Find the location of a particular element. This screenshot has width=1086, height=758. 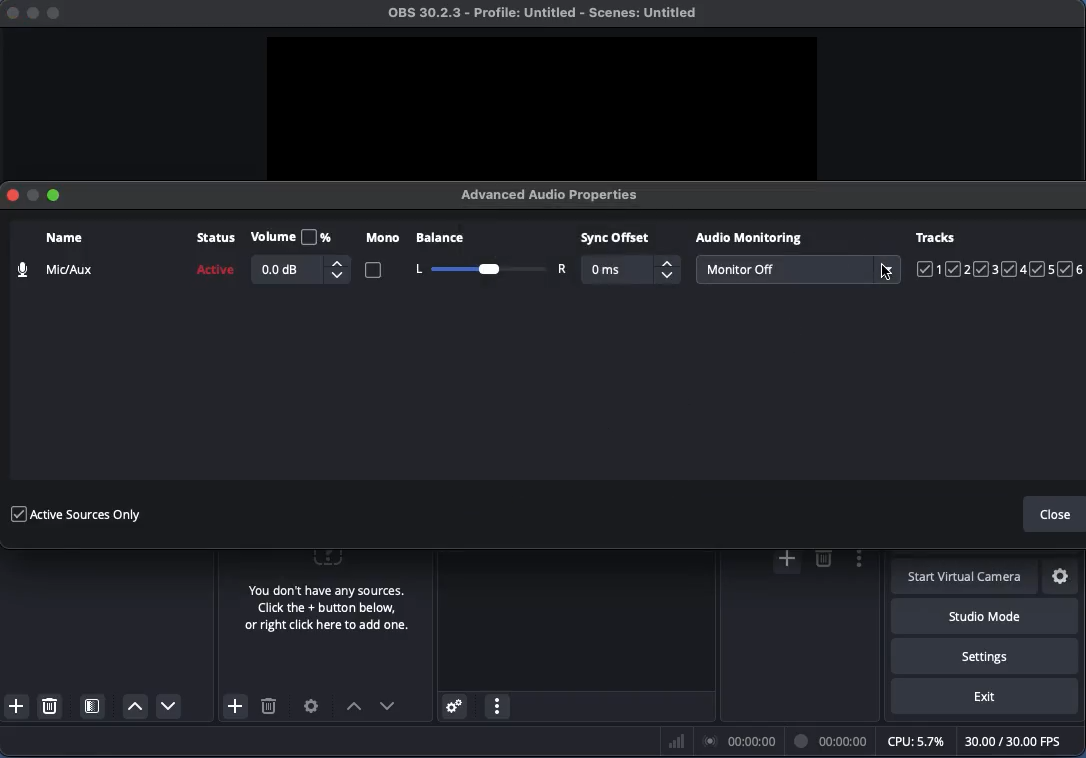

Name is located at coordinates (53, 256).